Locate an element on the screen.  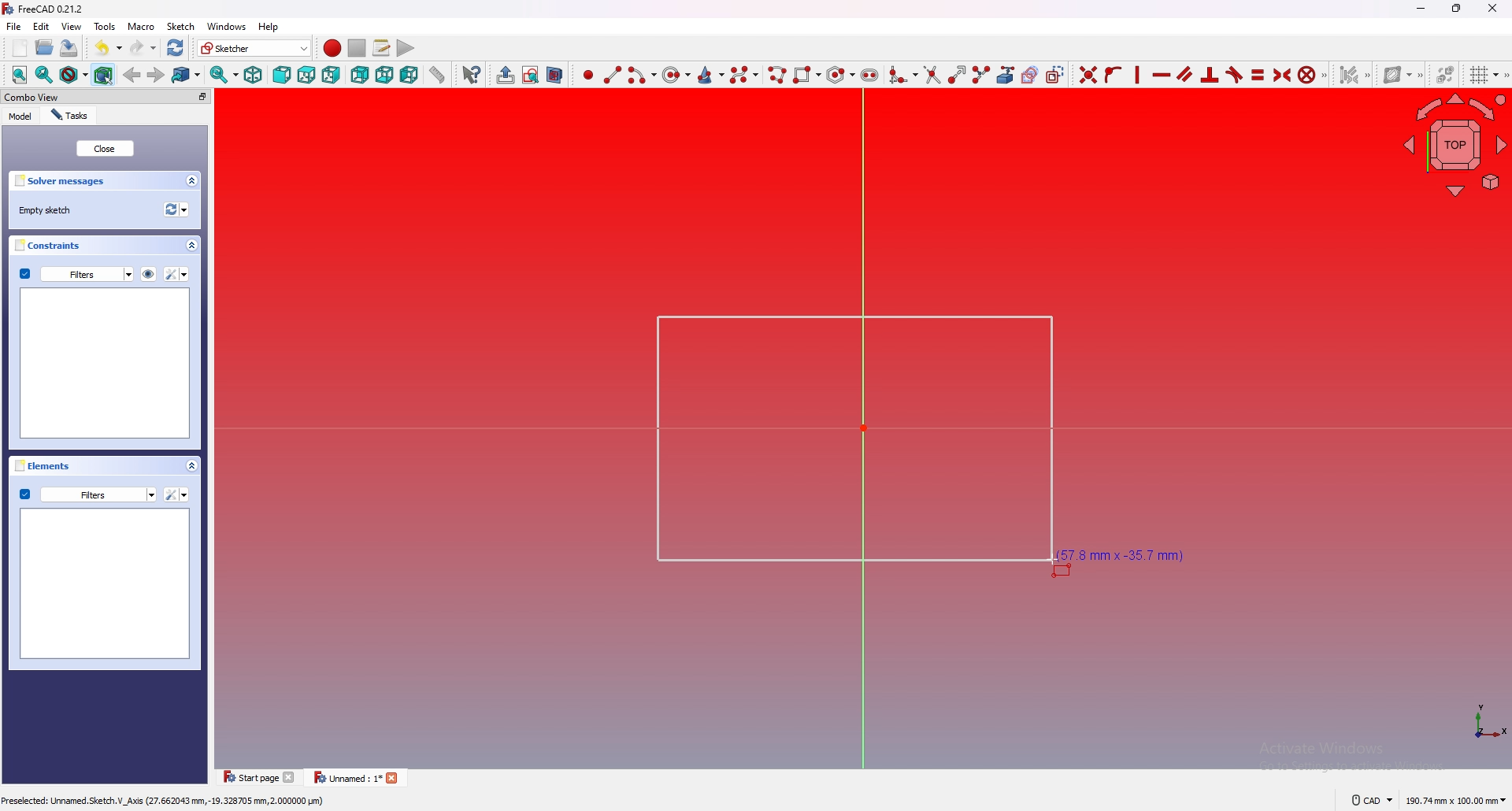
sketch is located at coordinates (180, 26).